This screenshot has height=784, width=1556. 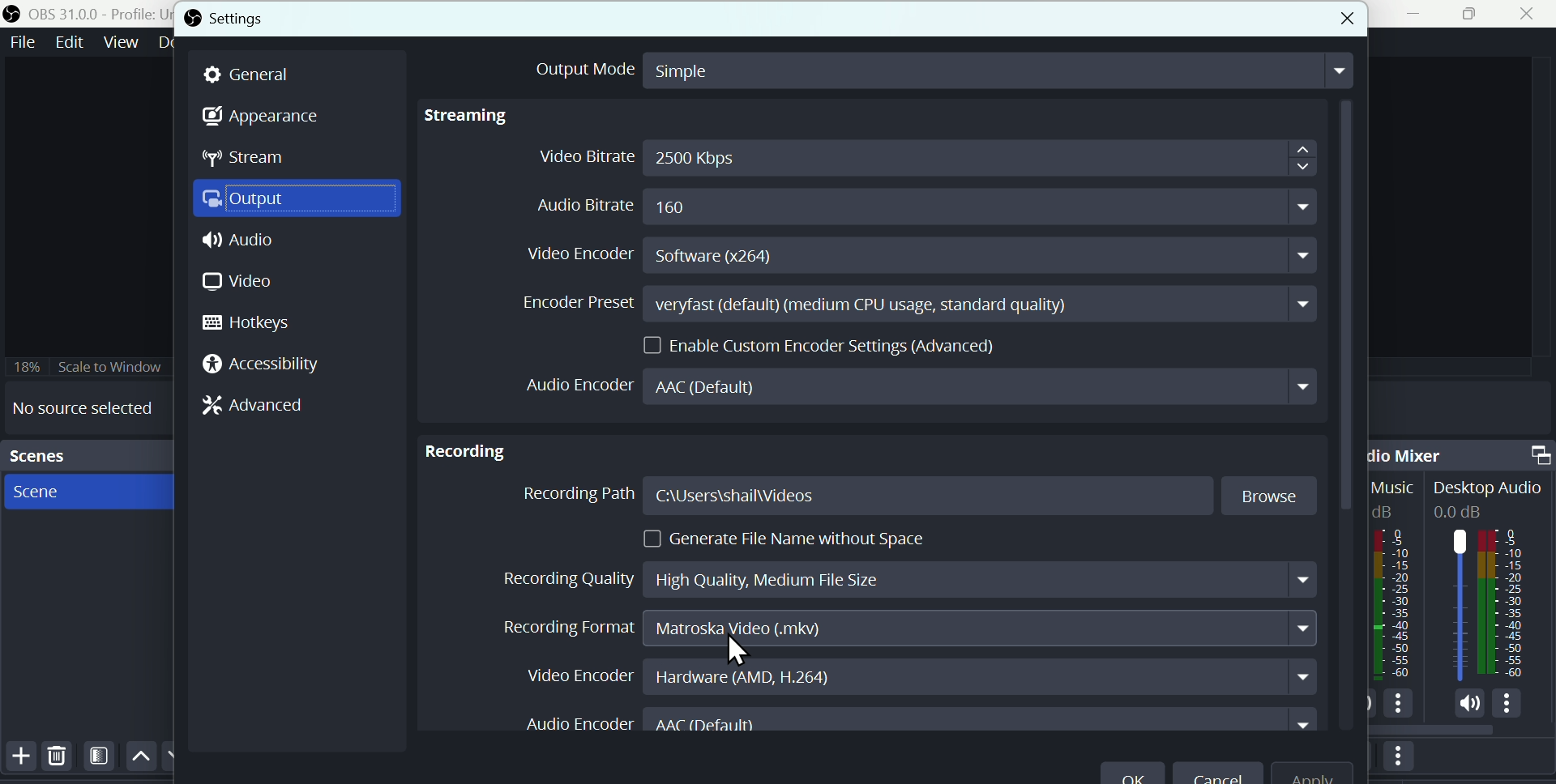 What do you see at coordinates (87, 366) in the screenshot?
I see ` Scale to window` at bounding box center [87, 366].